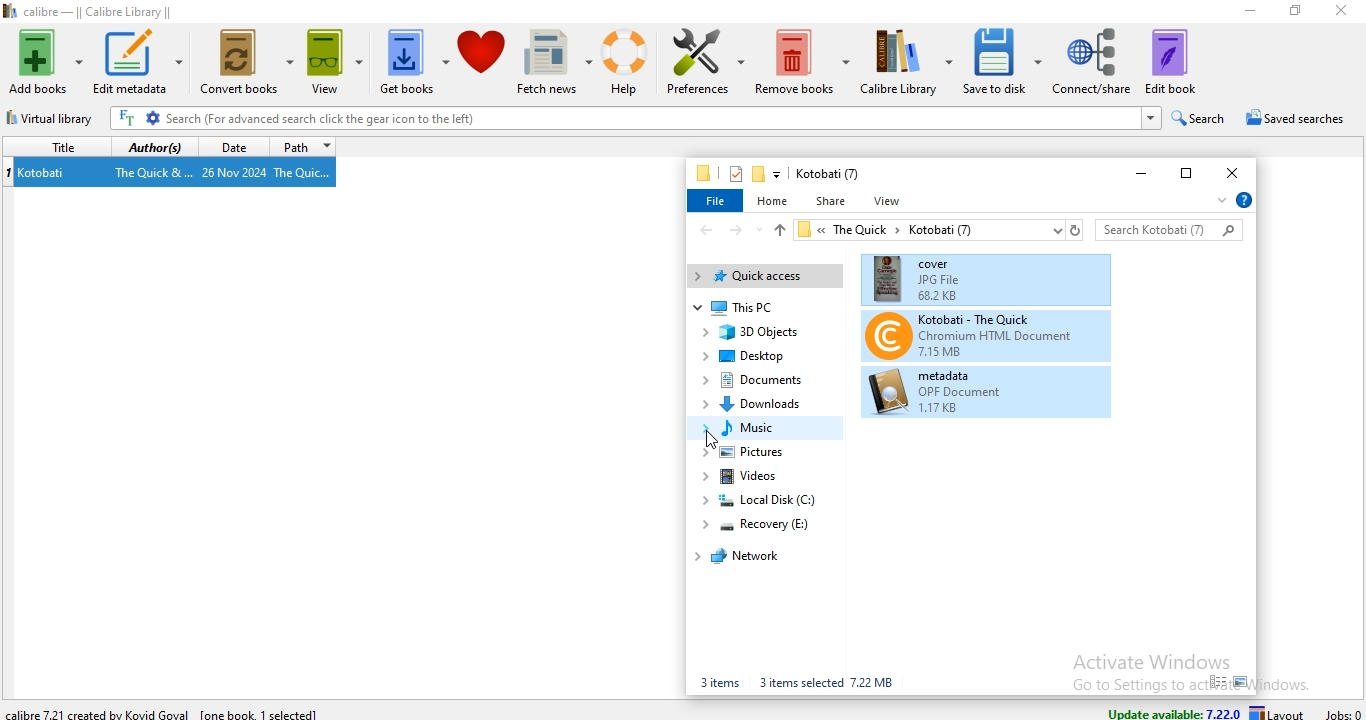 This screenshot has width=1366, height=720. What do you see at coordinates (752, 455) in the screenshot?
I see `pictures` at bounding box center [752, 455].